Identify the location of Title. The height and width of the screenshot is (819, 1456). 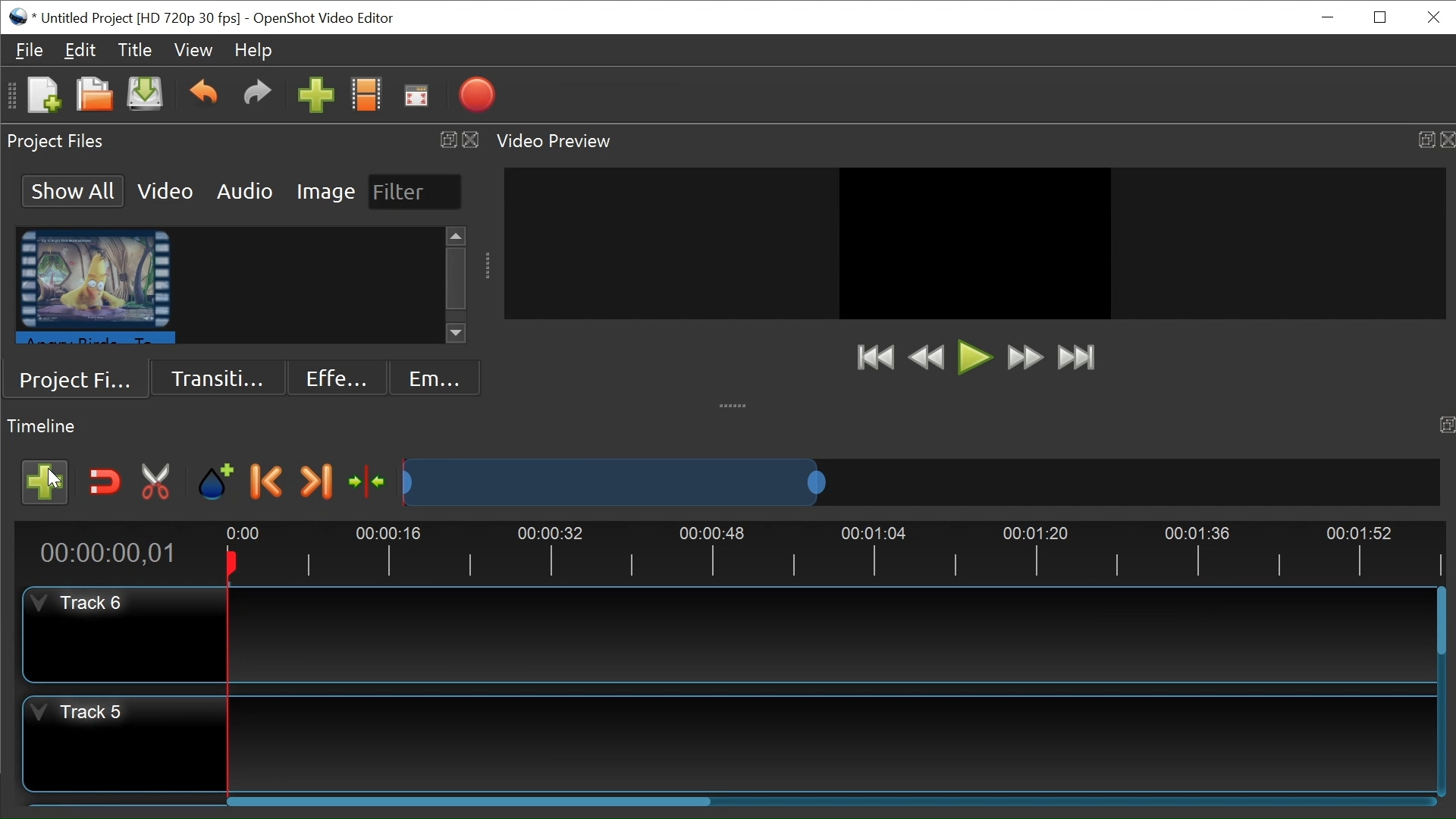
(133, 49).